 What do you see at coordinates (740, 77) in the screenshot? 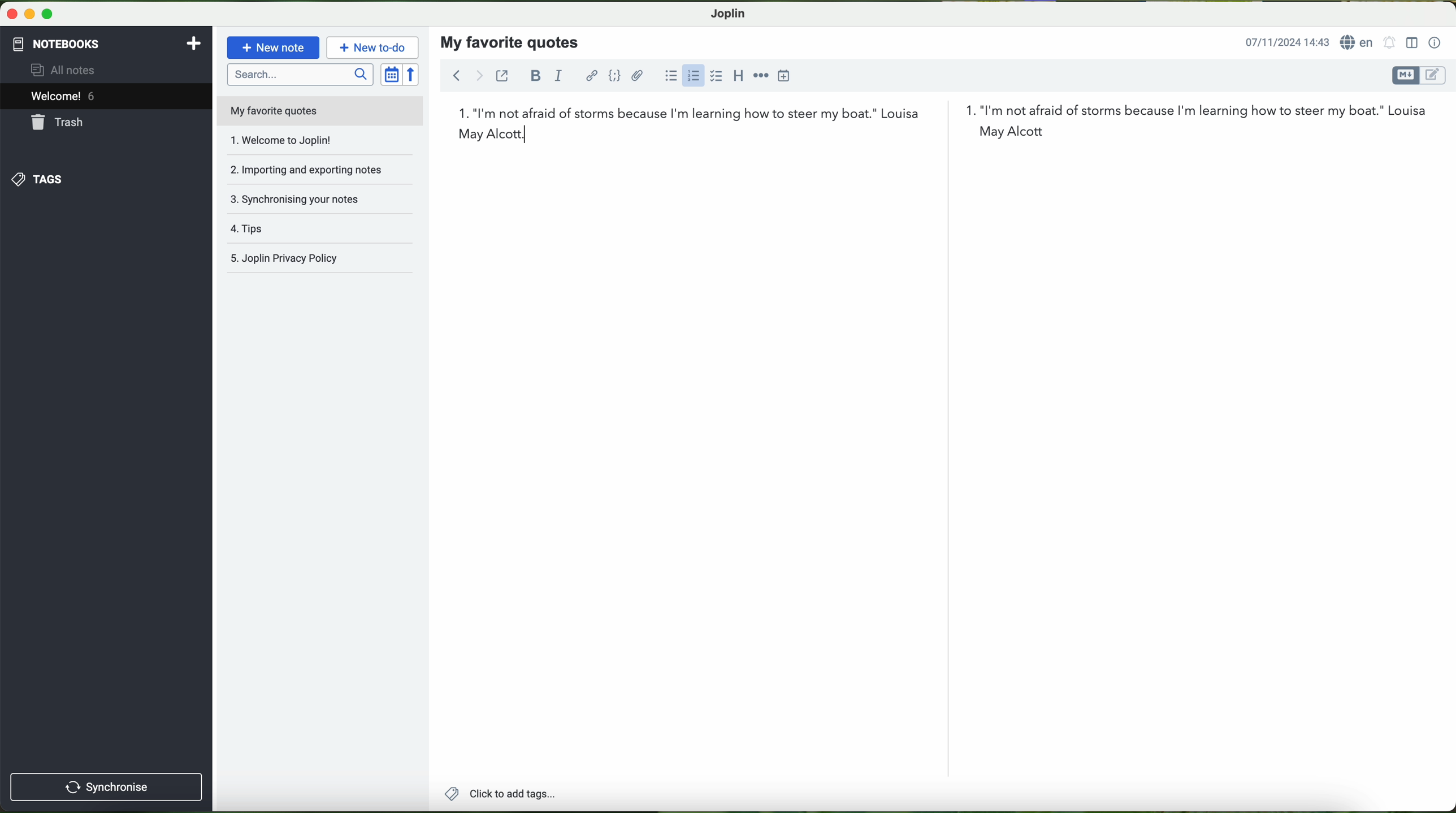
I see `heading` at bounding box center [740, 77].